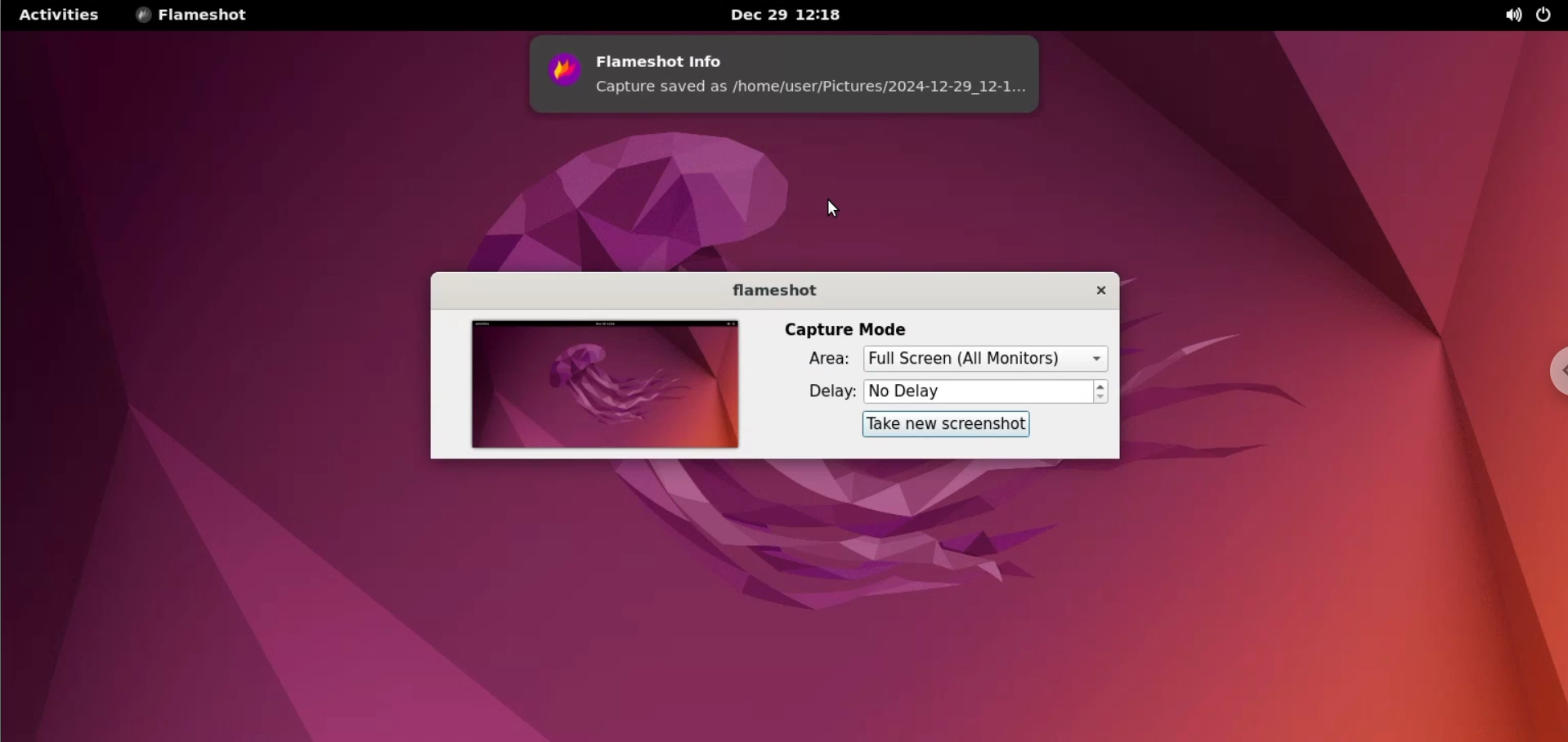 This screenshot has width=1568, height=742. Describe the element at coordinates (836, 209) in the screenshot. I see `cursor` at that location.